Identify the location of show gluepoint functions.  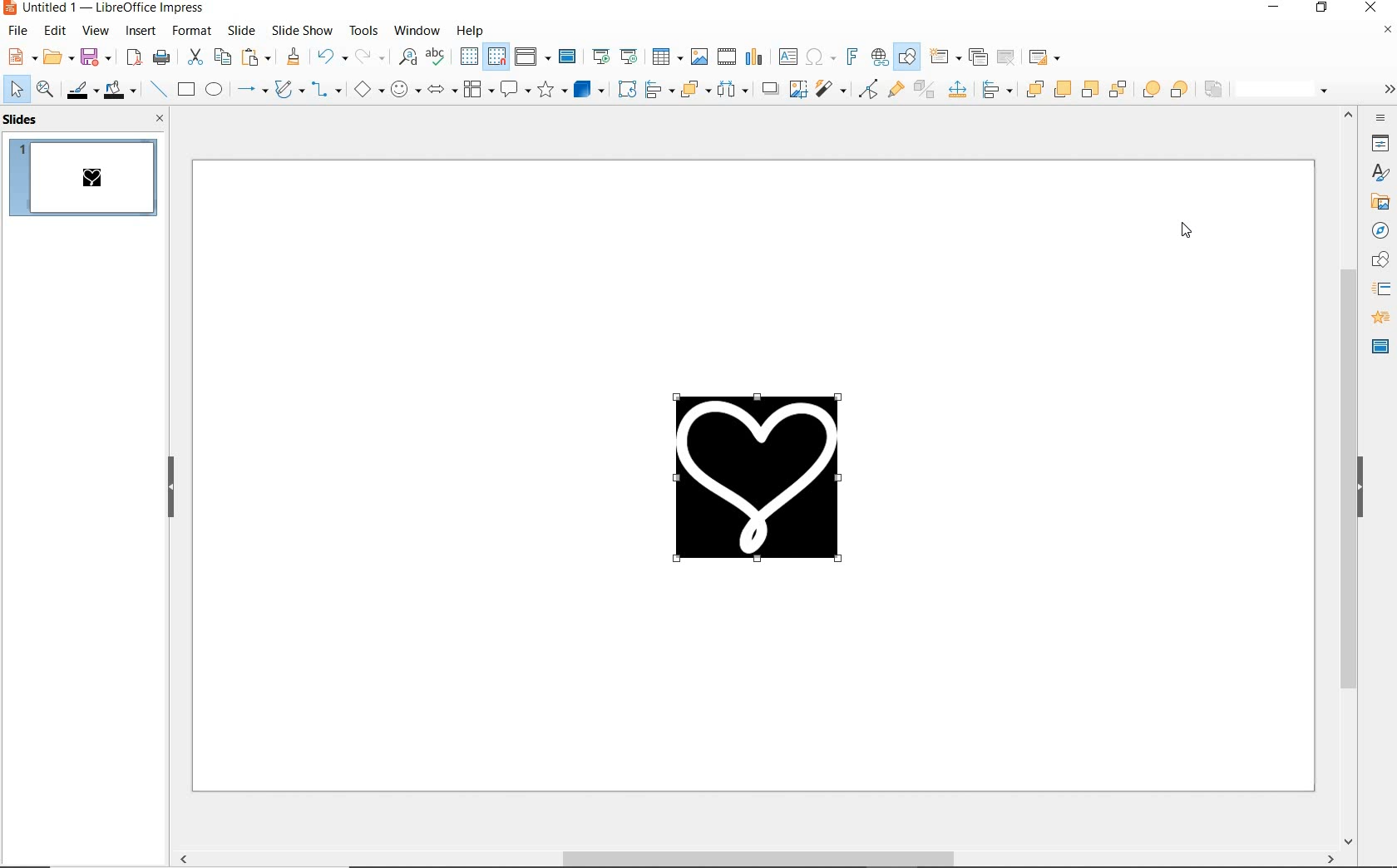
(895, 89).